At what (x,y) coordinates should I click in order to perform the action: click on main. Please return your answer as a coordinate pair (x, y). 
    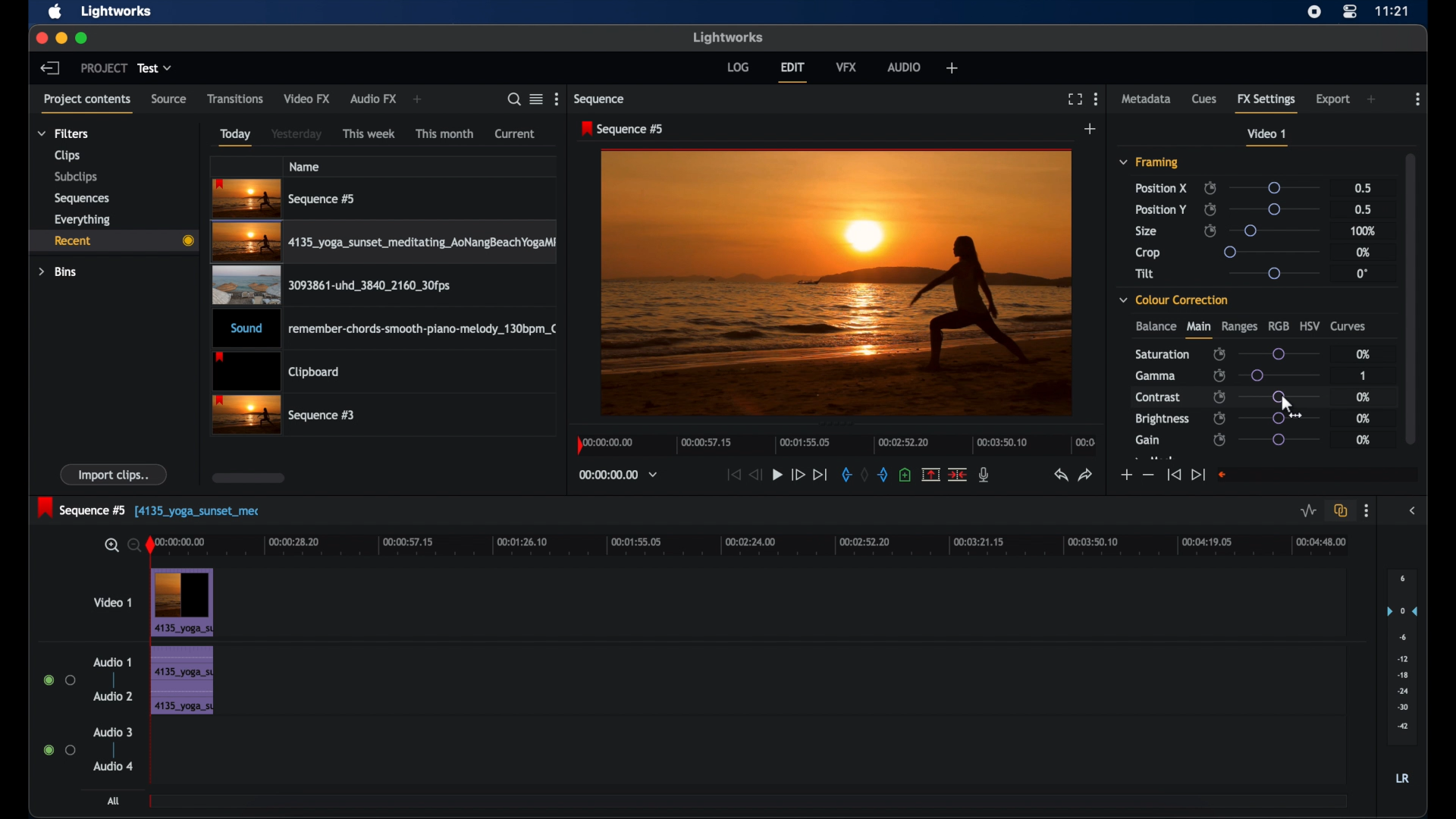
    Looking at the image, I should click on (1198, 330).